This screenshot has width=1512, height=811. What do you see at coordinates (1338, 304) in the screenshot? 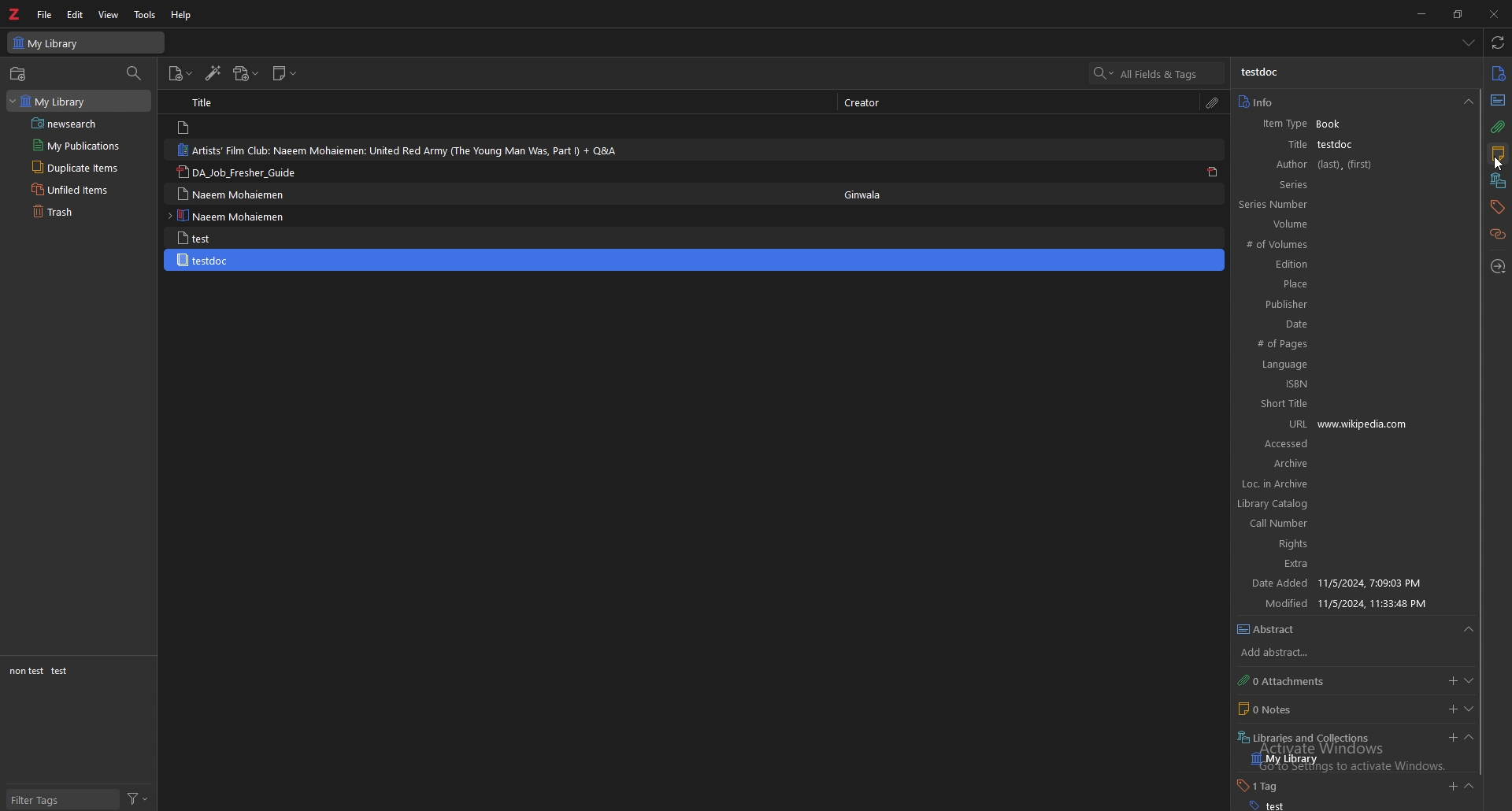
I see `publisher` at bounding box center [1338, 304].